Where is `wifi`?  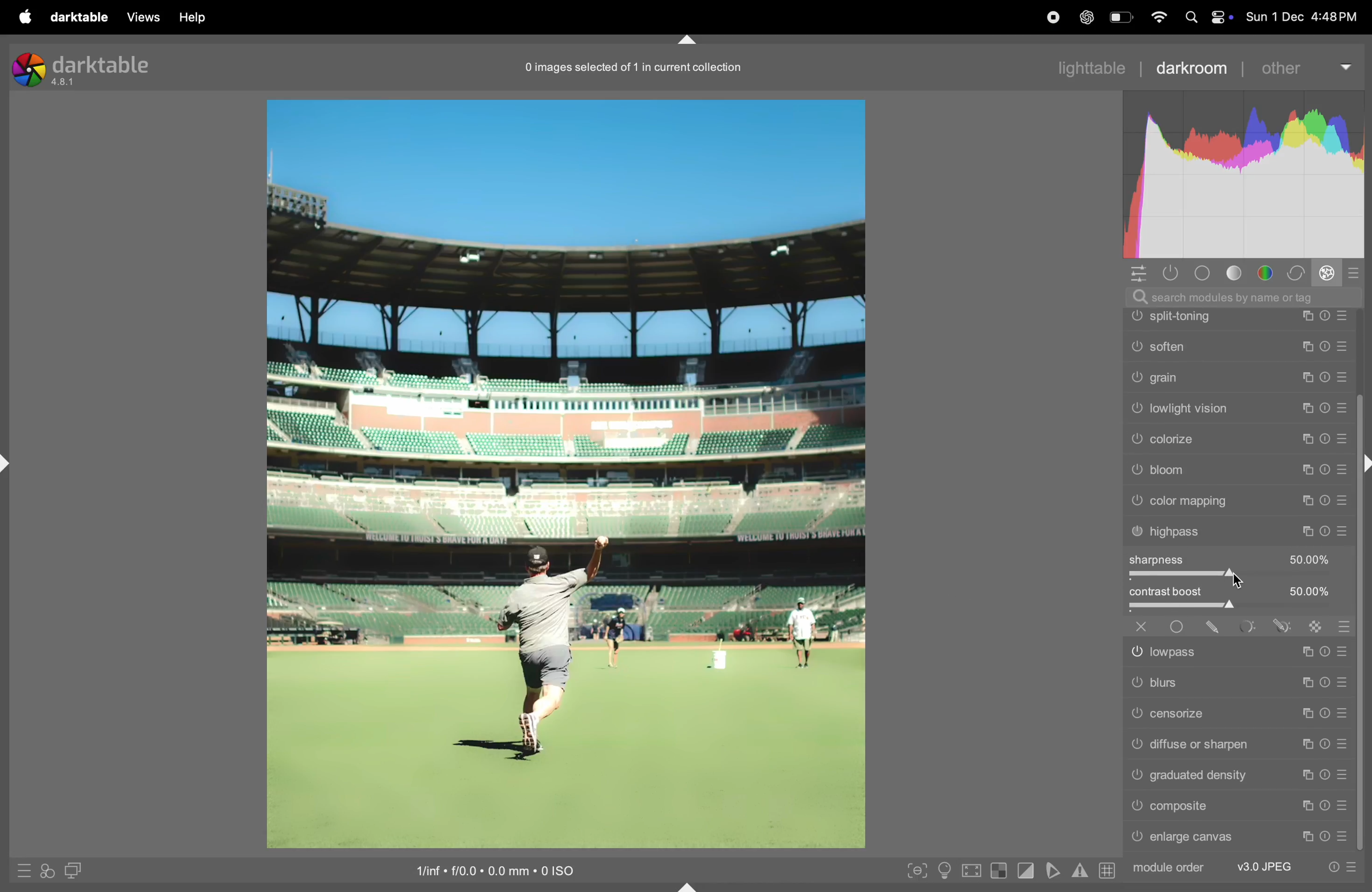
wifi is located at coordinates (1158, 18).